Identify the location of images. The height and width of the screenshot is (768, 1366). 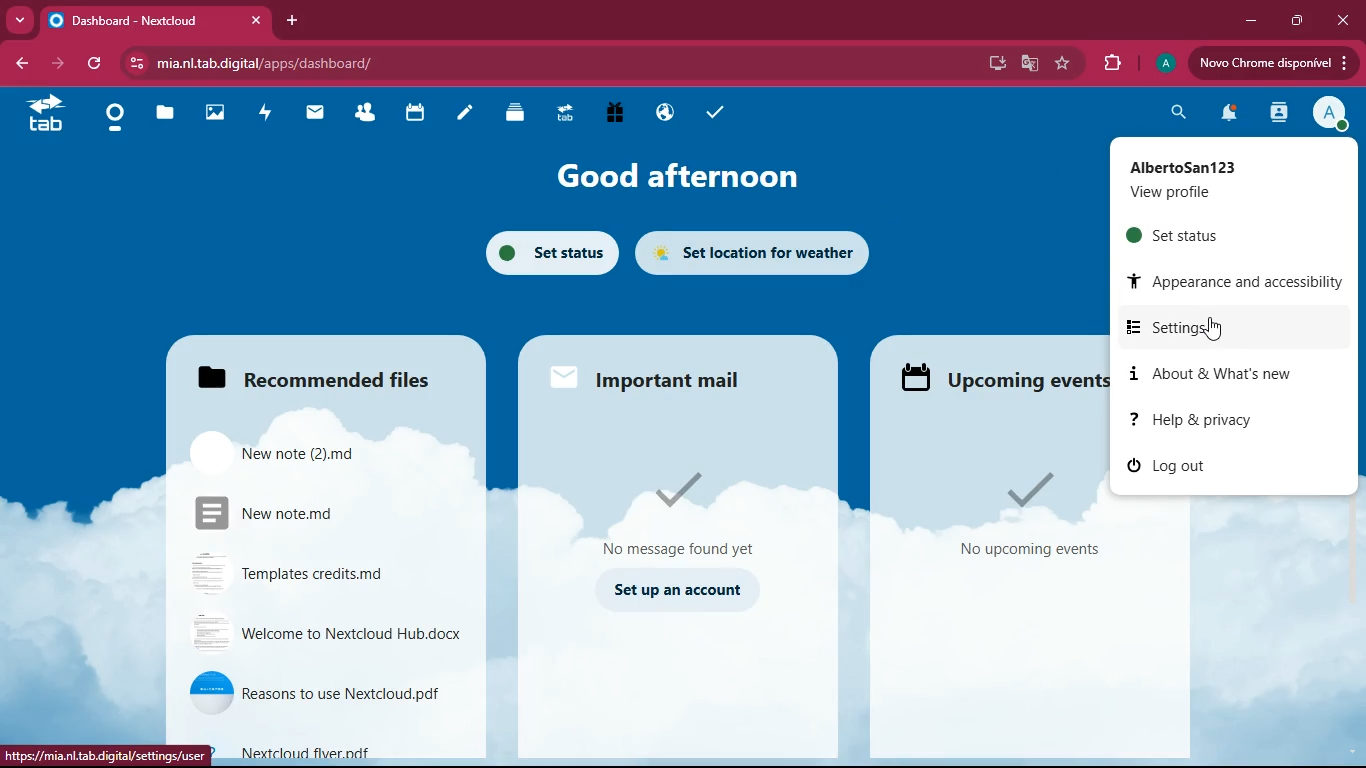
(212, 114).